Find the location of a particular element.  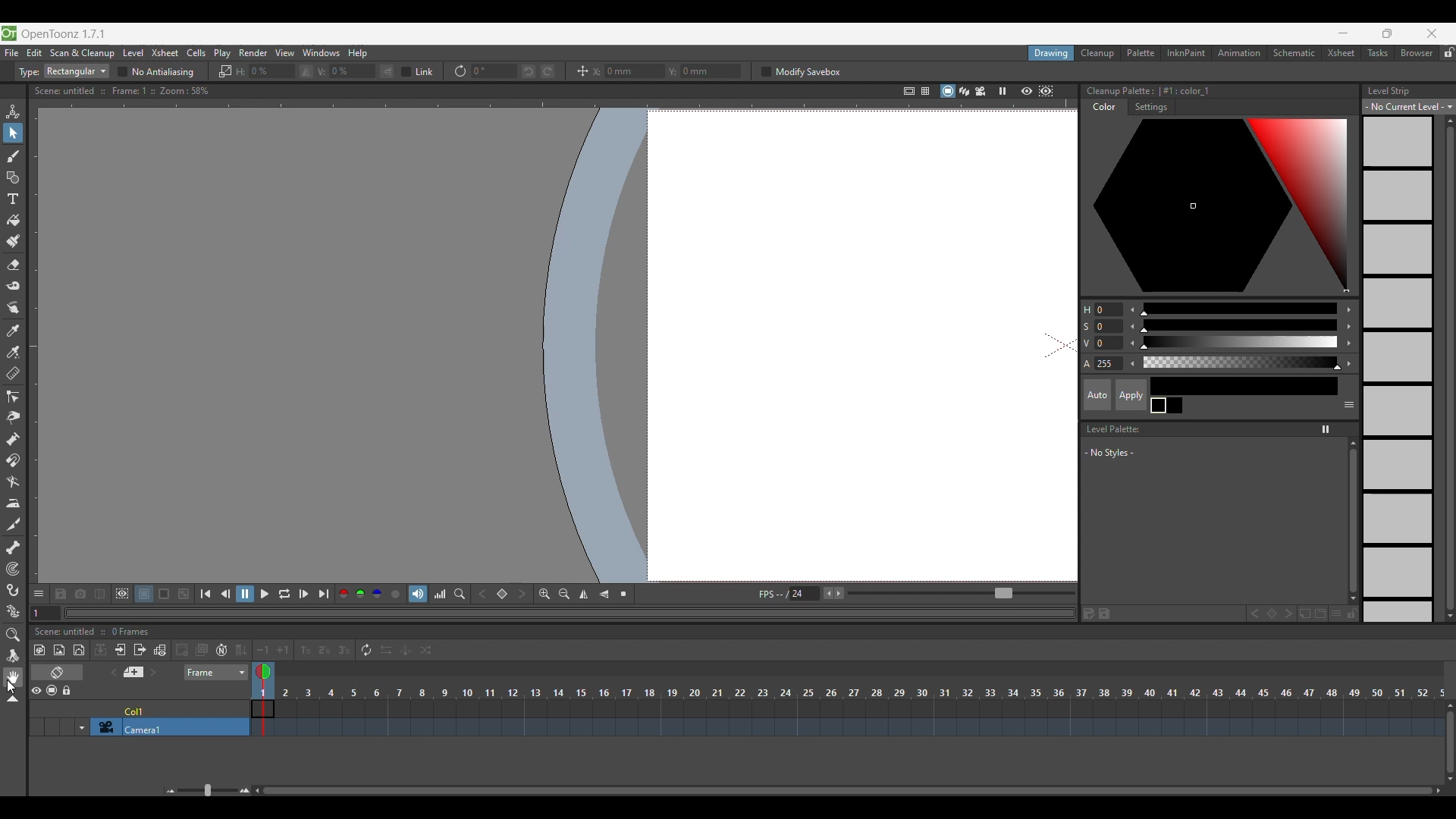

No antialiasing is located at coordinates (155, 72).